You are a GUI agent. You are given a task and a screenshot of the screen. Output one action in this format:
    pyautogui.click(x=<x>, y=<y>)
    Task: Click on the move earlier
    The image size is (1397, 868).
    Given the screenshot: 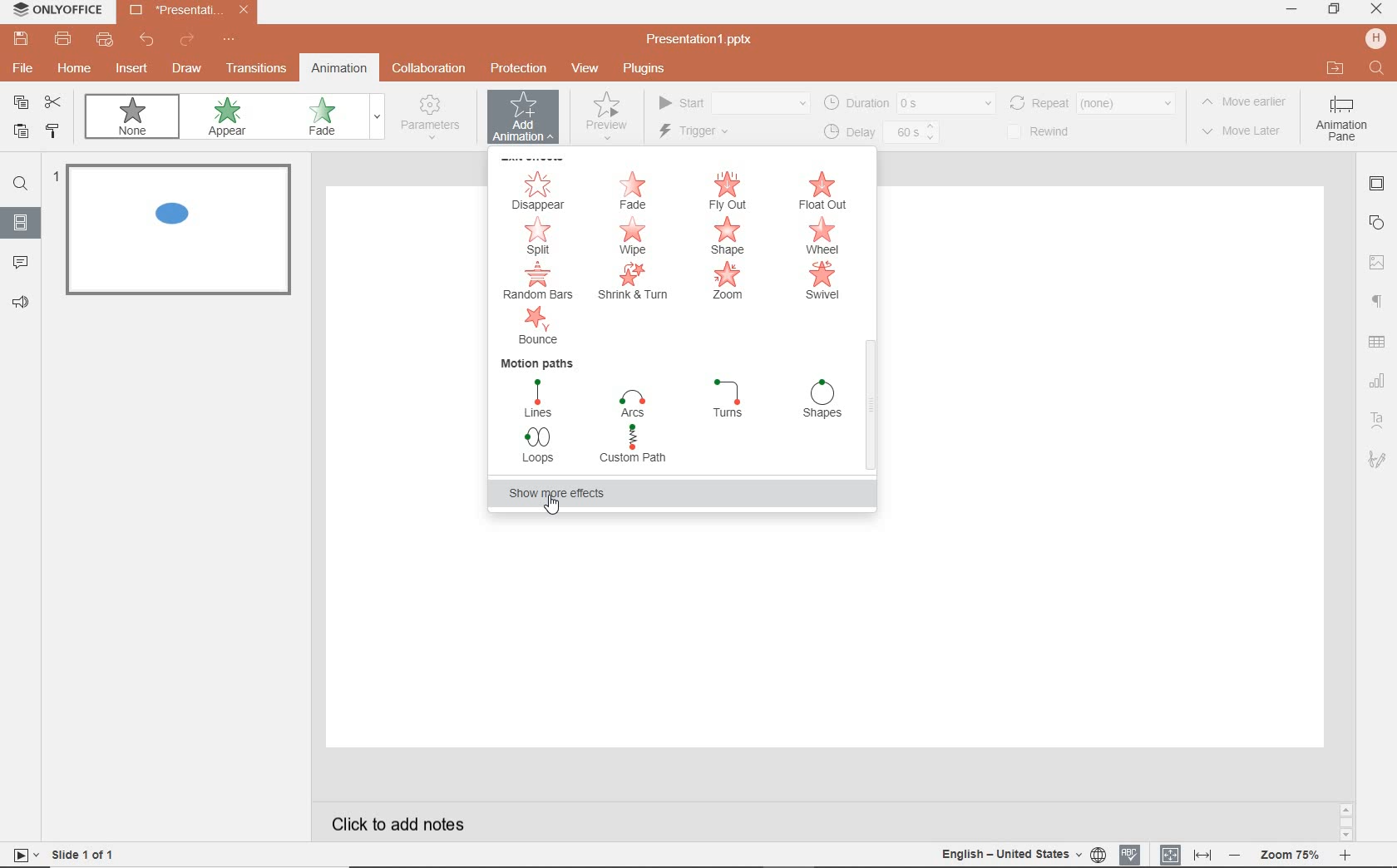 What is the action you would take?
    pyautogui.click(x=1248, y=104)
    